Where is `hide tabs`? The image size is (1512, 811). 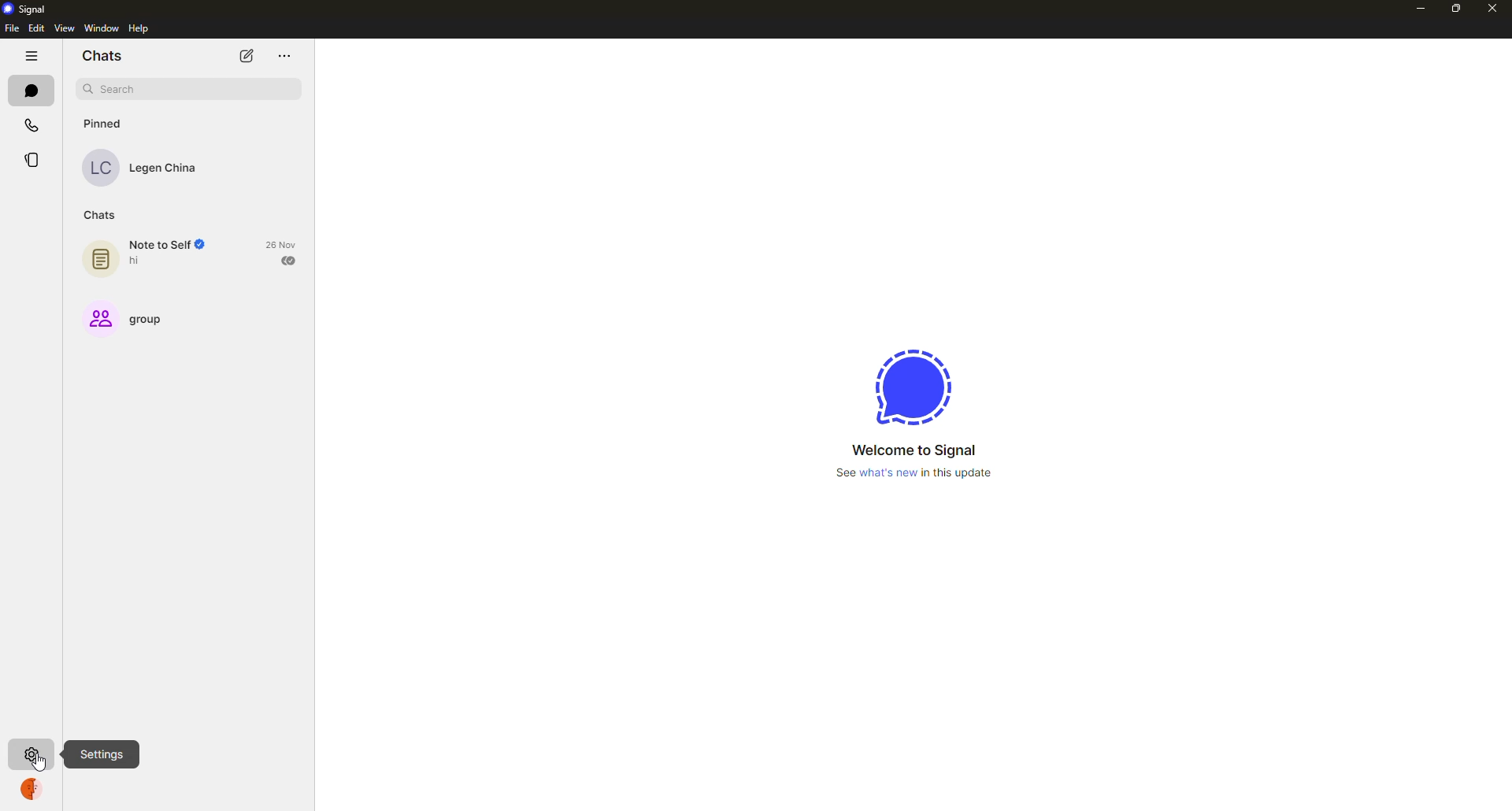
hide tabs is located at coordinates (30, 54).